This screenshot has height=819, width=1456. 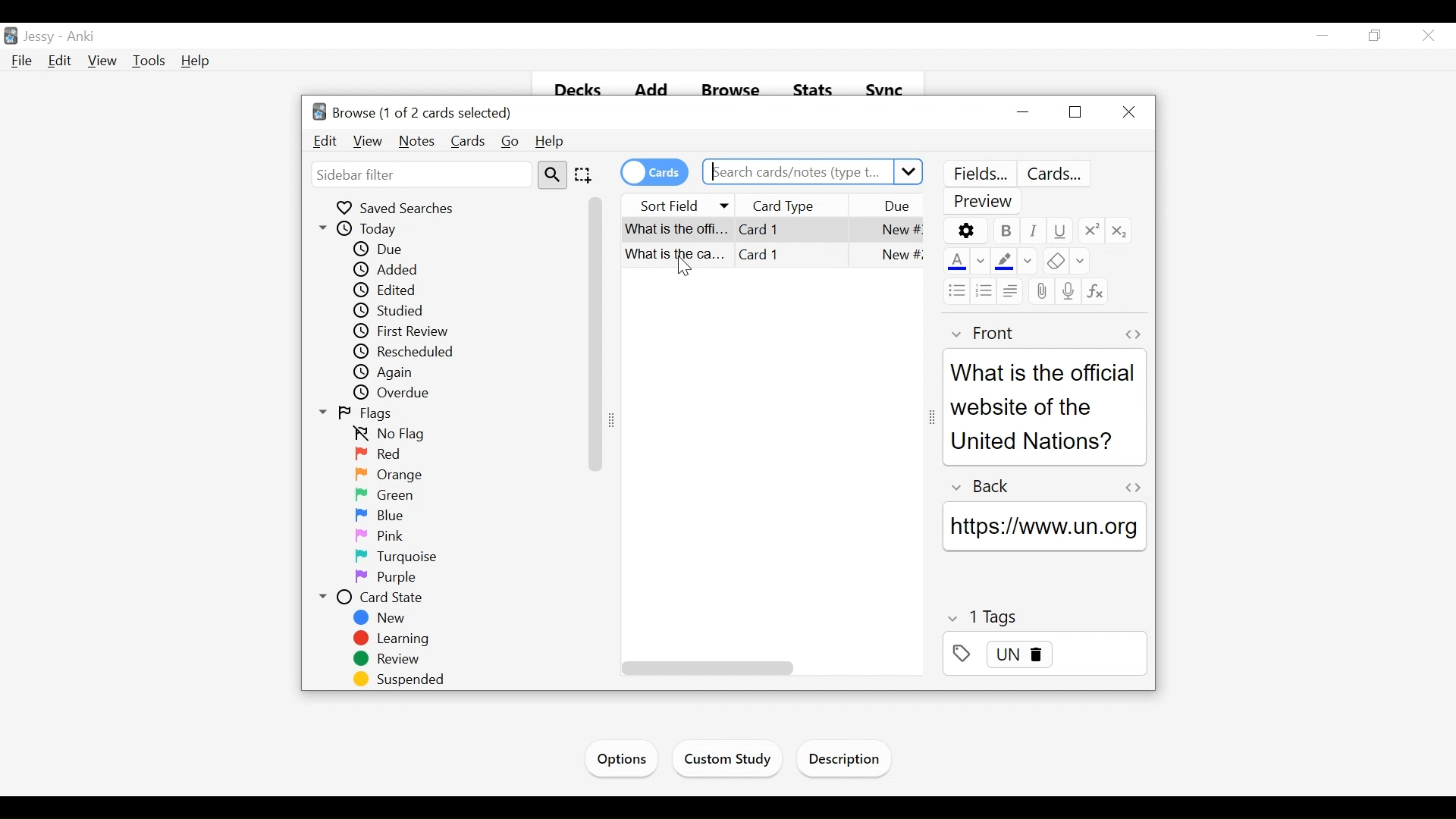 I want to click on Horizontal Scroll bar, so click(x=705, y=668).